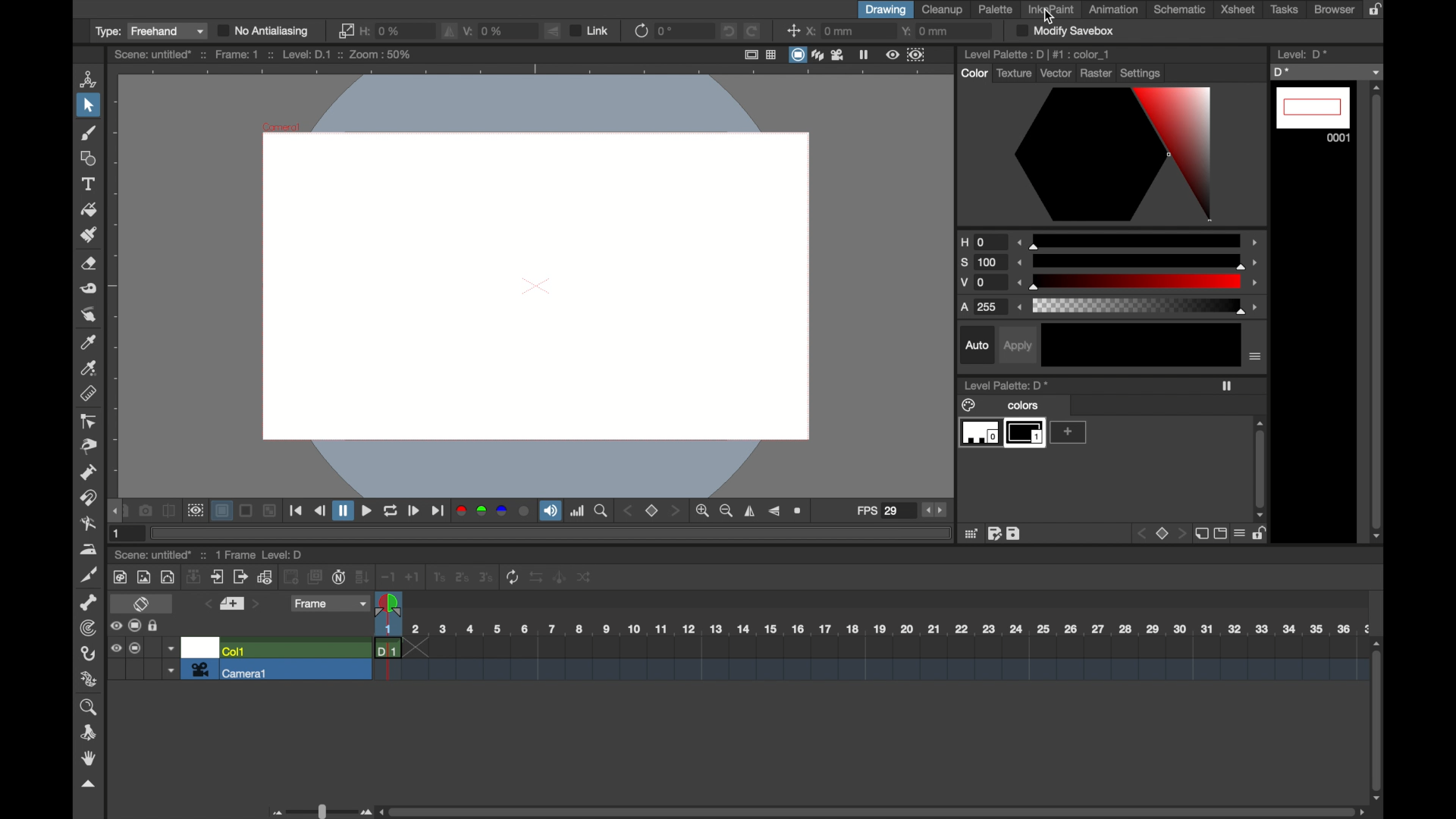  What do you see at coordinates (118, 533) in the screenshot?
I see `1` at bounding box center [118, 533].